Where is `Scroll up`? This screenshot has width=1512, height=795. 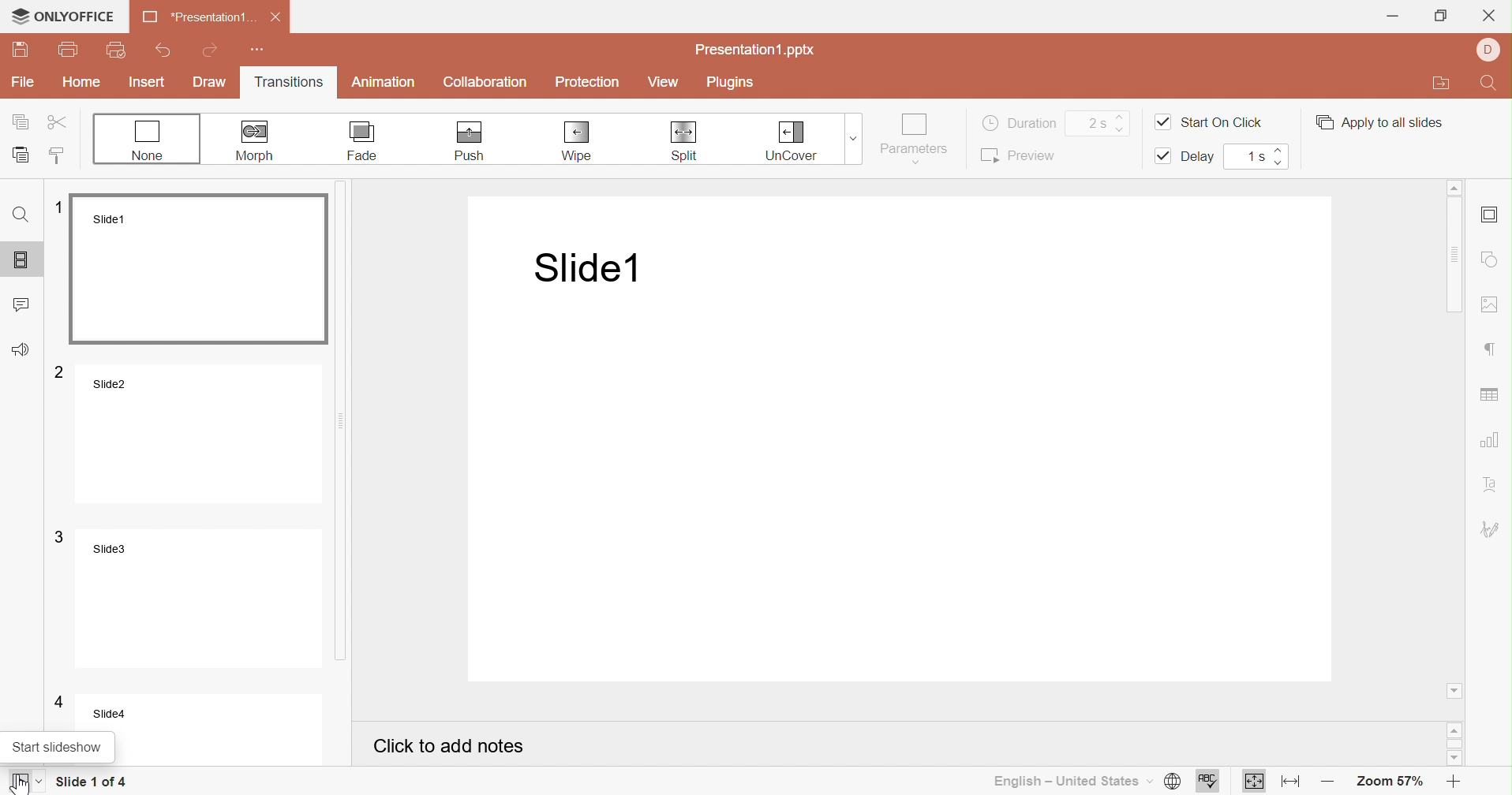
Scroll up is located at coordinates (1454, 733).